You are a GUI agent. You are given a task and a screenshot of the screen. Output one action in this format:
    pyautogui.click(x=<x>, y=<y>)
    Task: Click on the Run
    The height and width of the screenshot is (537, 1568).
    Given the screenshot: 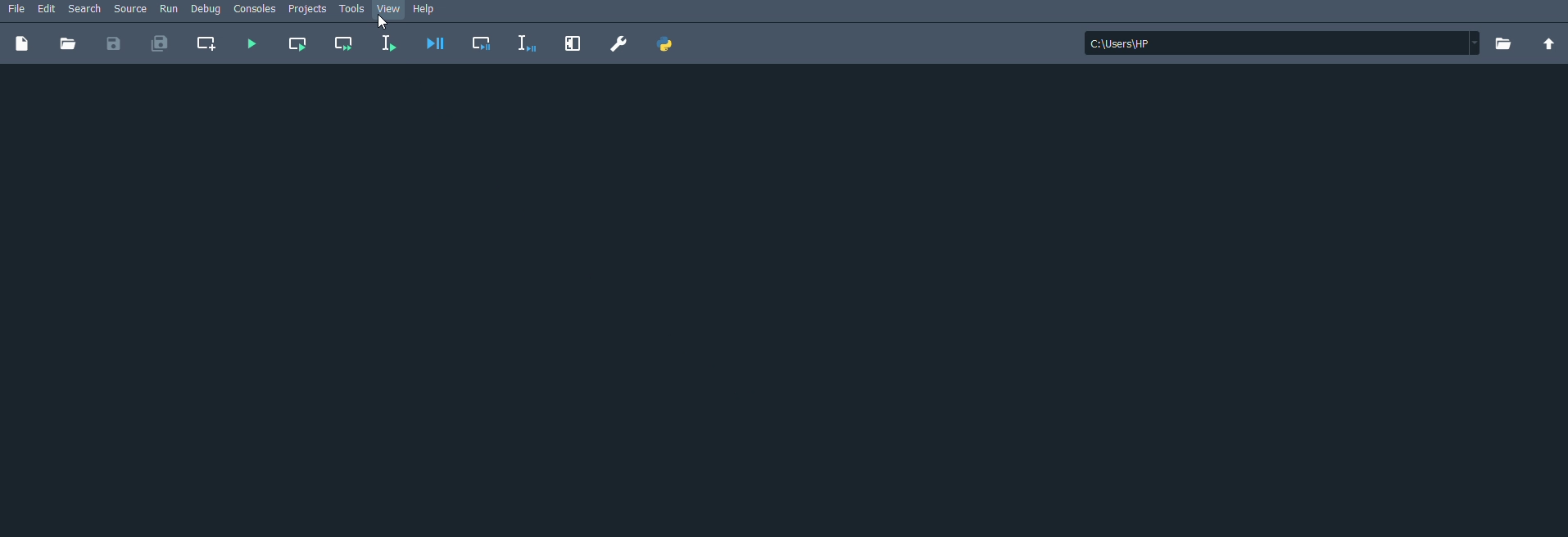 What is the action you would take?
    pyautogui.click(x=170, y=11)
    